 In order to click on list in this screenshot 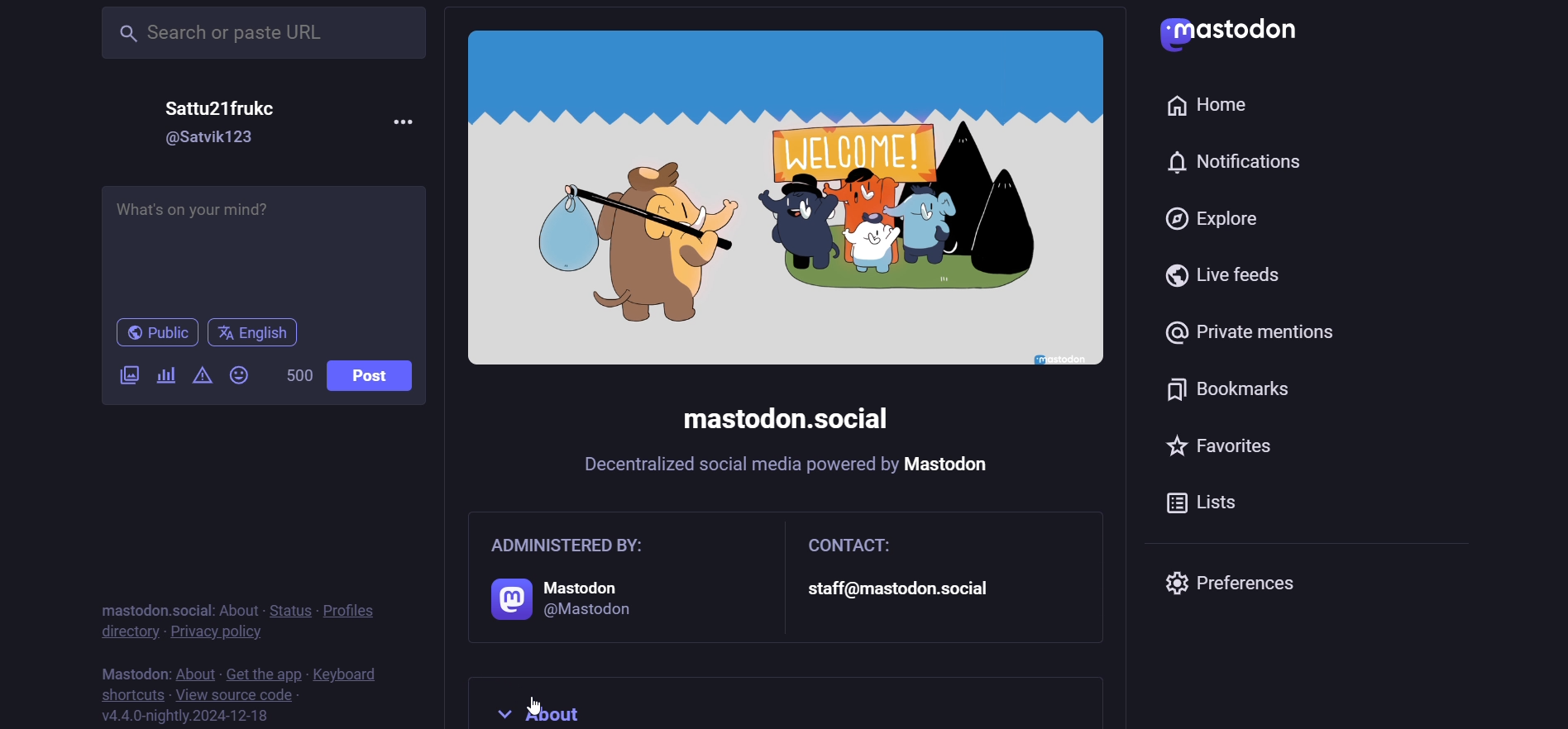, I will do `click(1215, 507)`.